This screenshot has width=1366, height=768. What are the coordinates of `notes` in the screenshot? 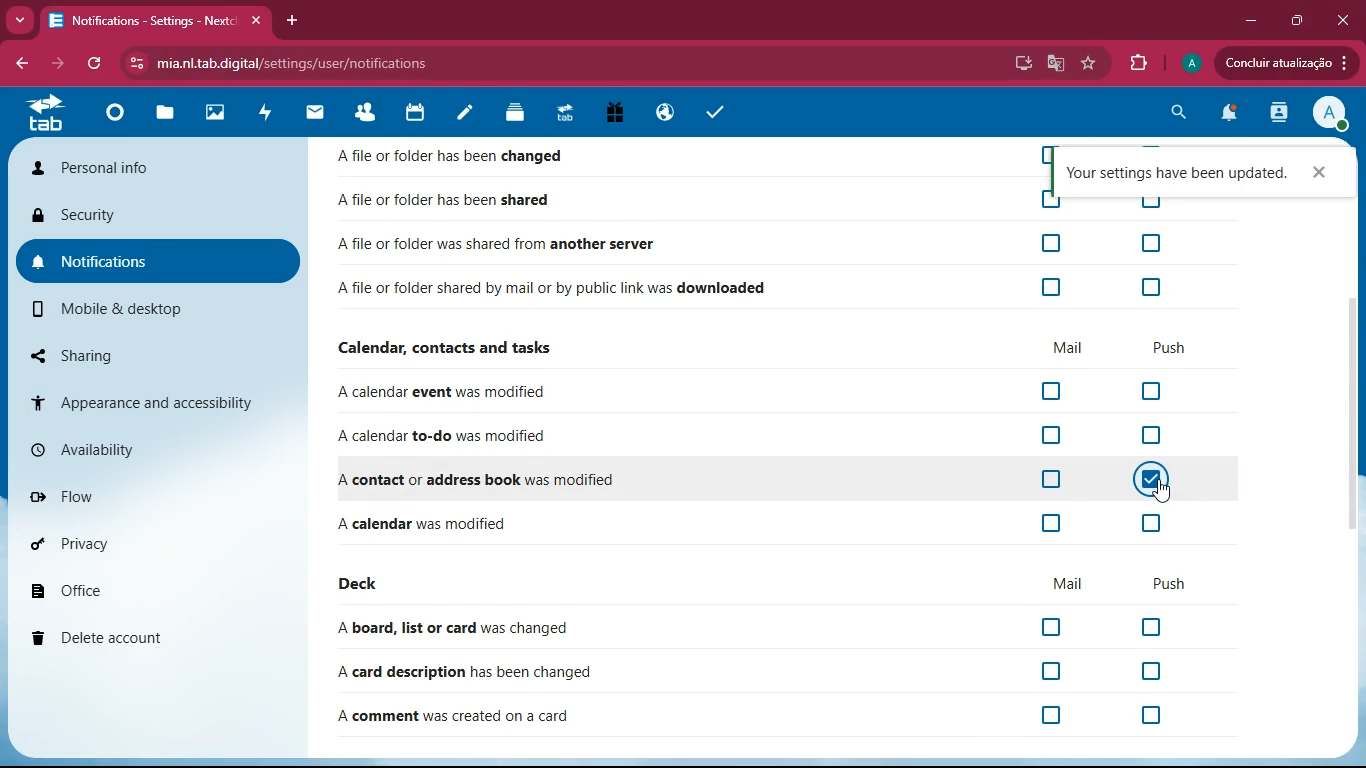 It's located at (466, 115).